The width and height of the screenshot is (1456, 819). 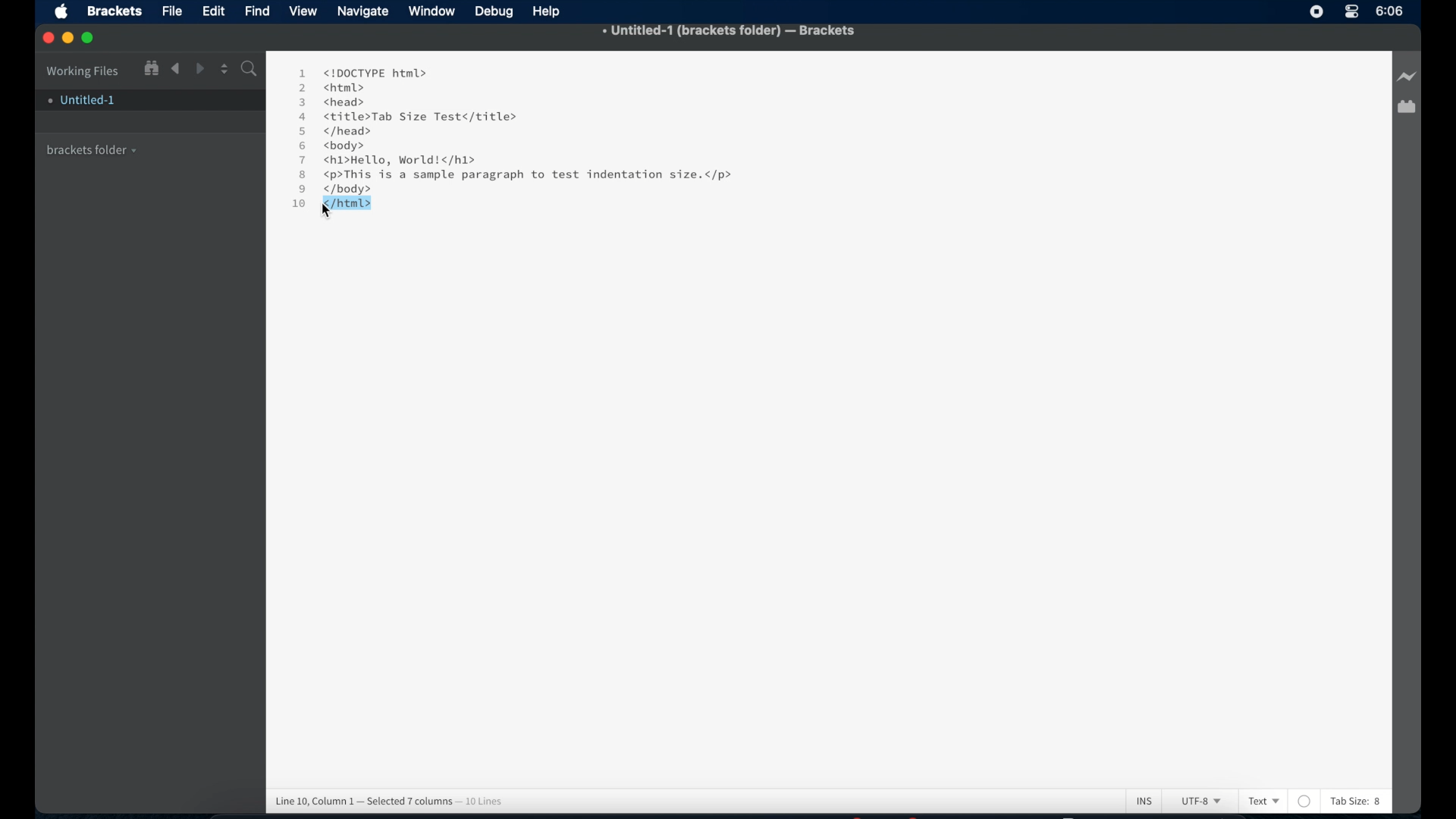 I want to click on Minimize, so click(x=71, y=38).